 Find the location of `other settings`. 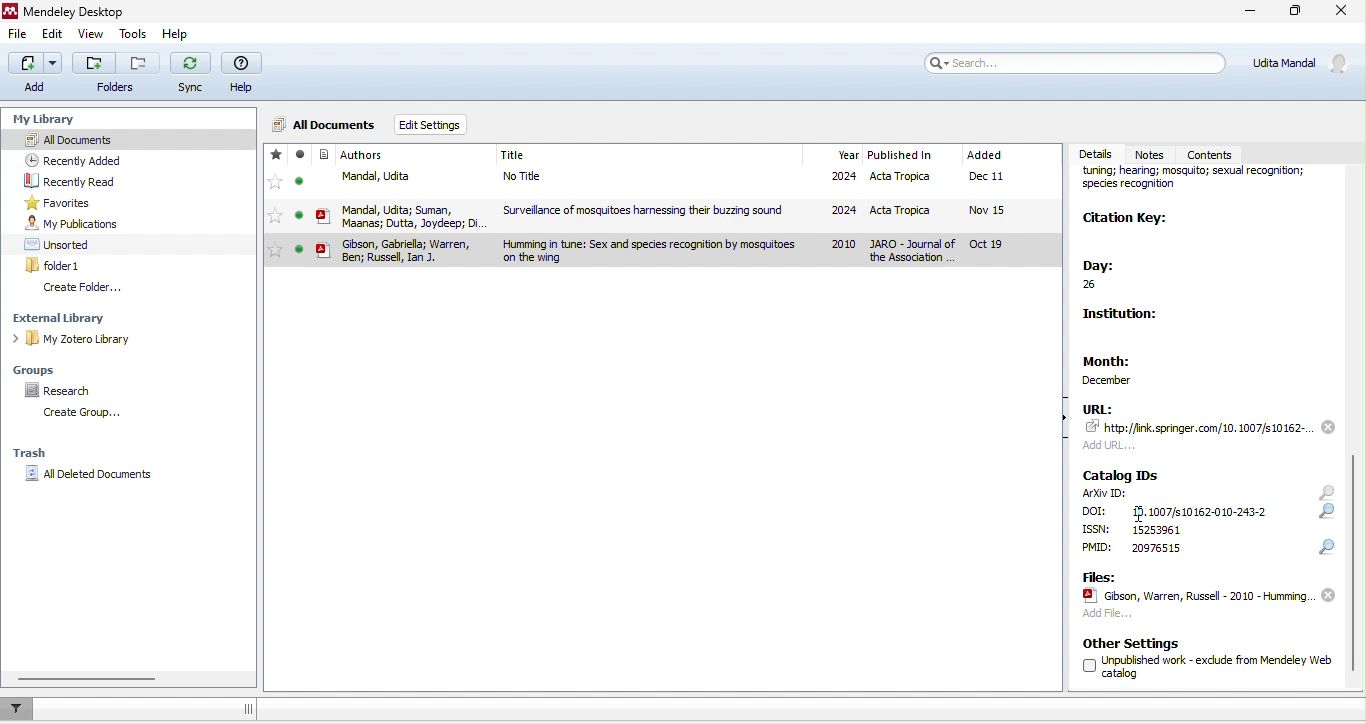

other settings is located at coordinates (1133, 643).